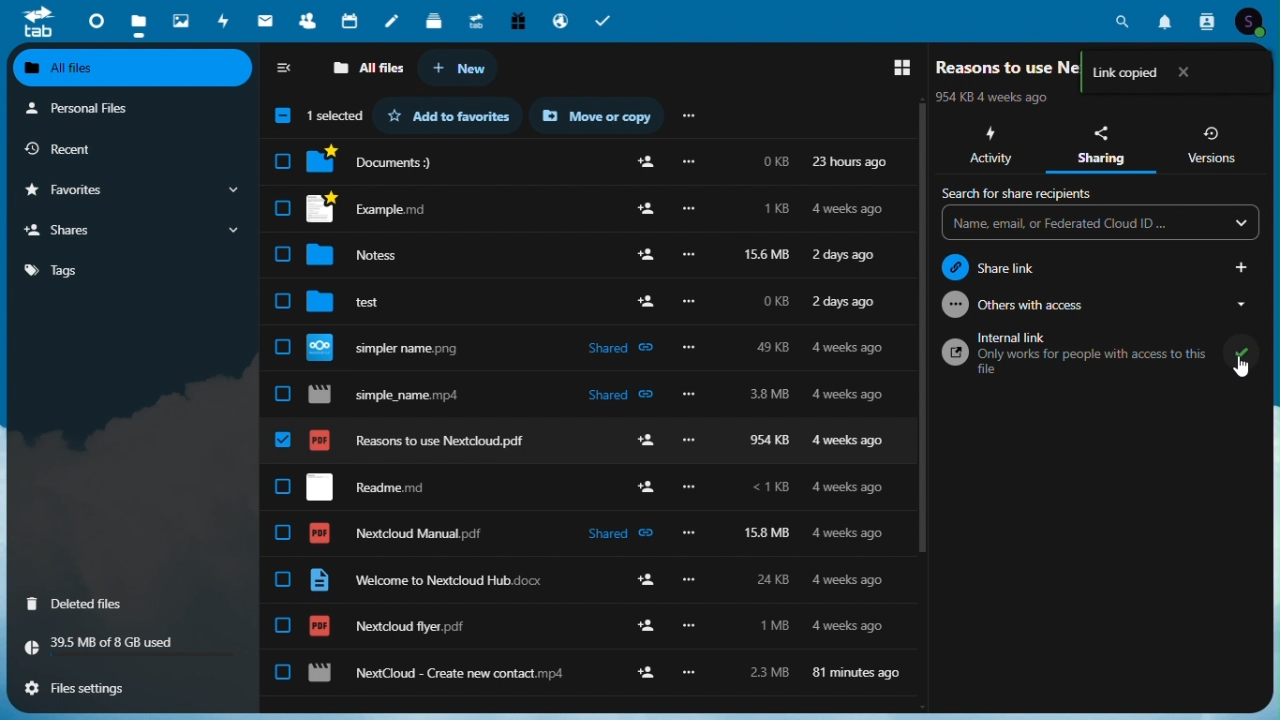 The height and width of the screenshot is (720, 1280). I want to click on 156 kb, so click(770, 256).